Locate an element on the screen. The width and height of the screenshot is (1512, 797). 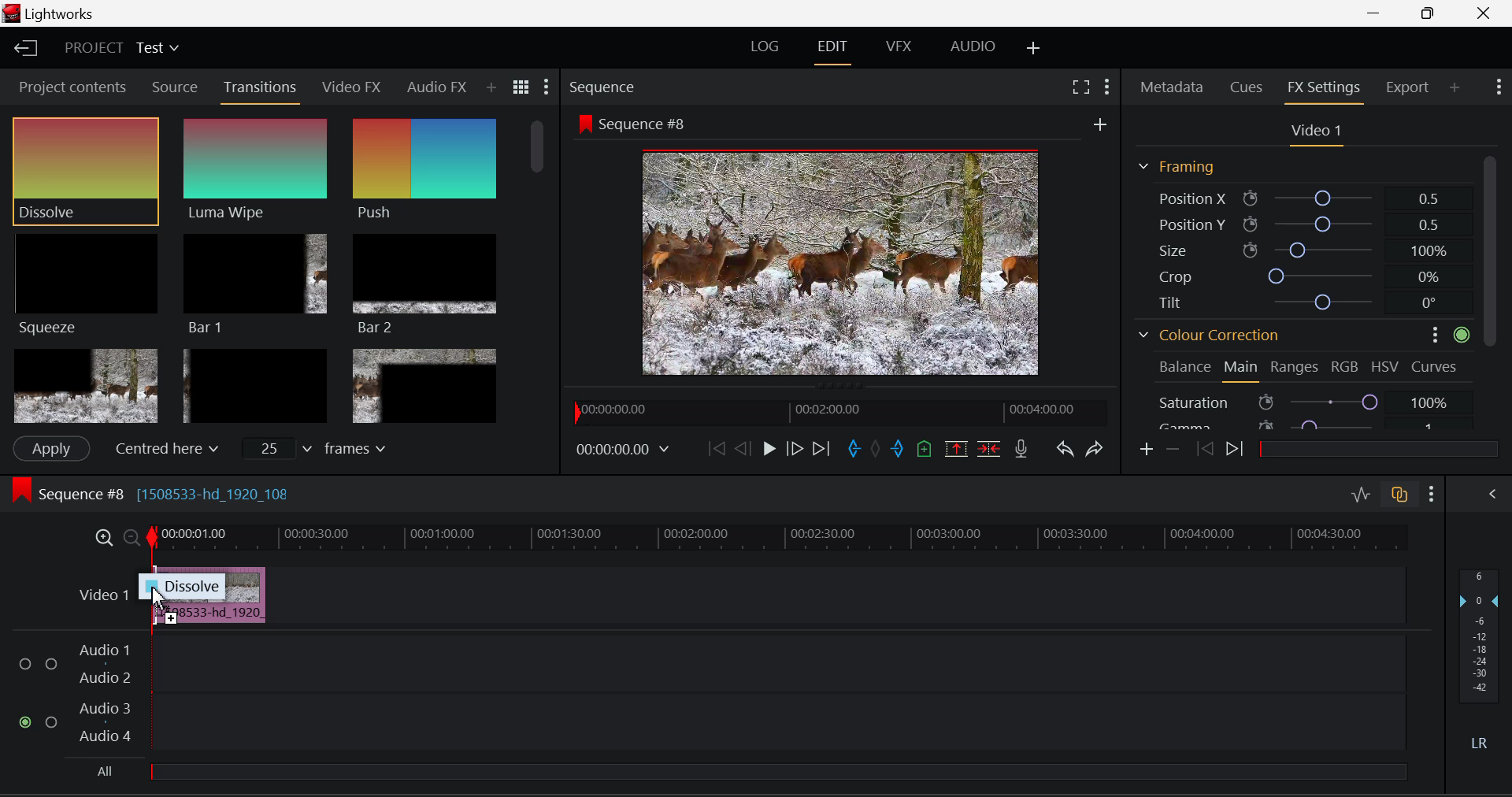
Toggle Auto Track Sync is located at coordinates (1399, 496).